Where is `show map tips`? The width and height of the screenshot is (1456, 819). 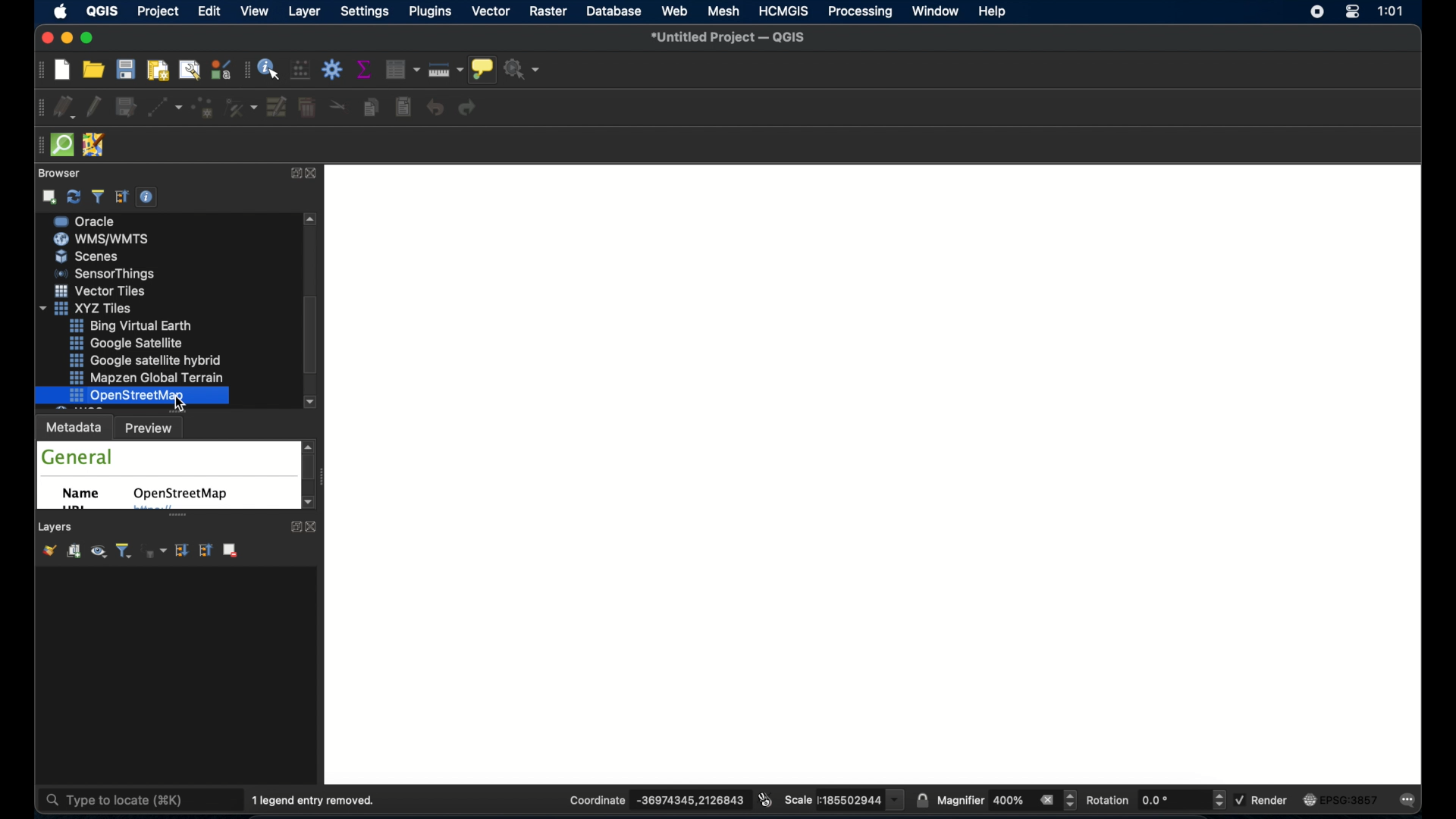
show map tips is located at coordinates (482, 70).